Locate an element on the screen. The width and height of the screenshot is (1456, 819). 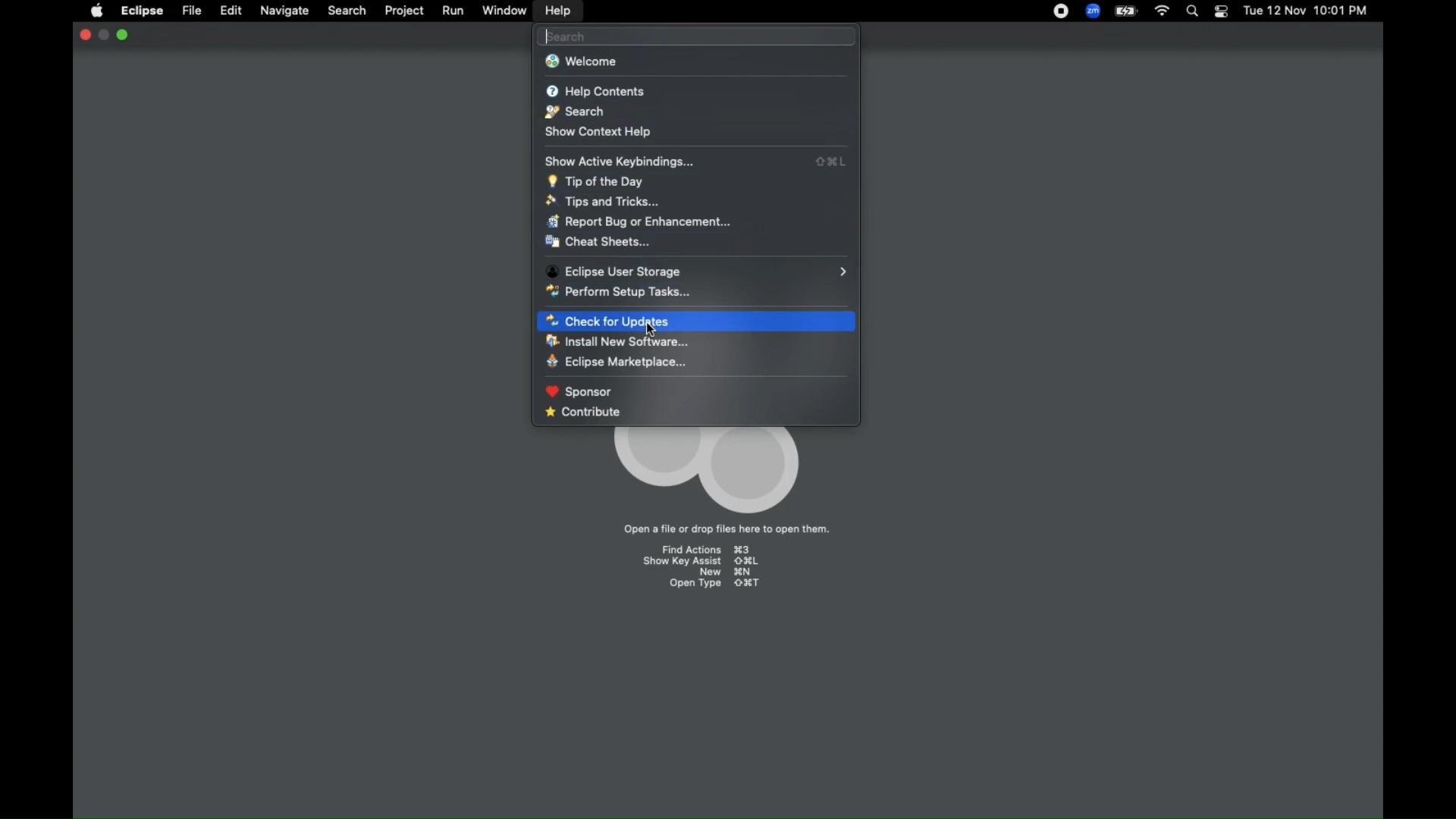
Perform Setup Tasks is located at coordinates (695, 291).